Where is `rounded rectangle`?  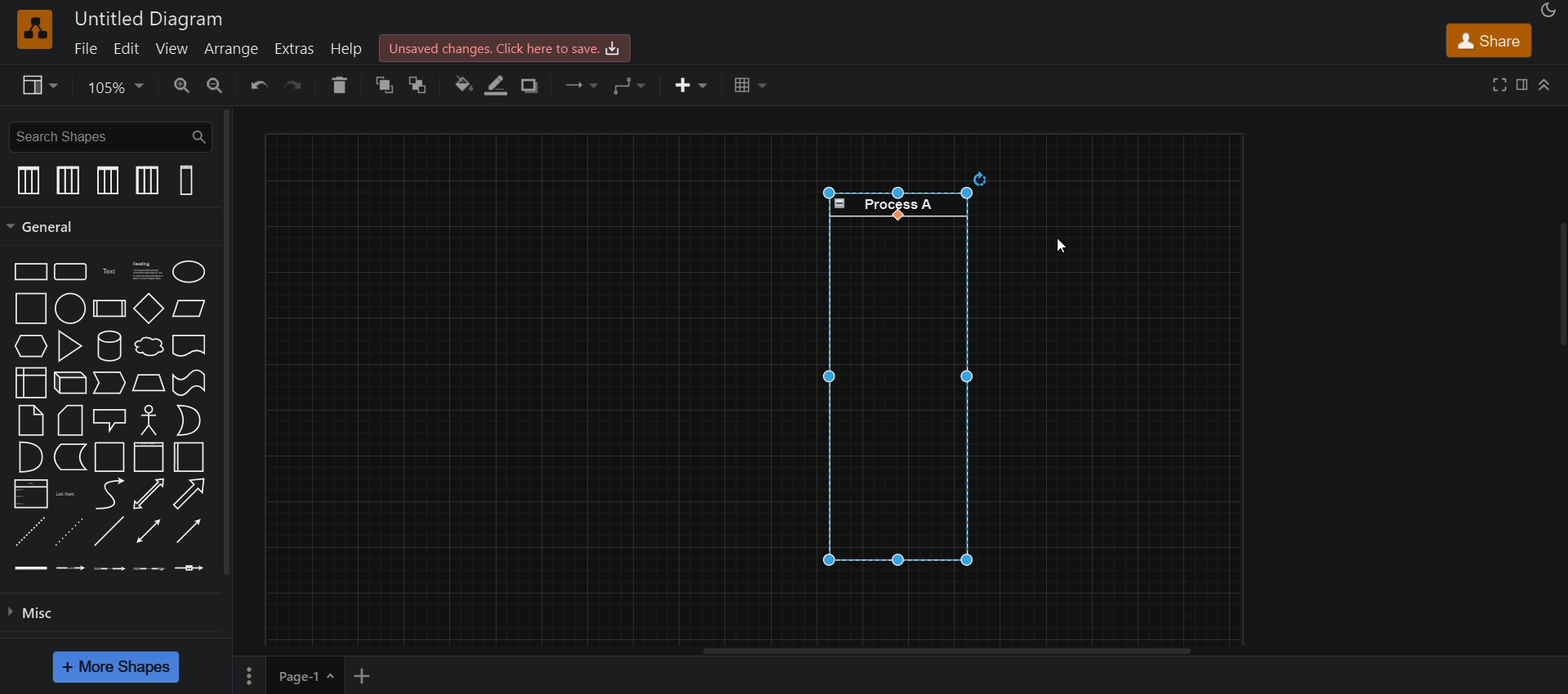
rounded rectangle is located at coordinates (71, 273).